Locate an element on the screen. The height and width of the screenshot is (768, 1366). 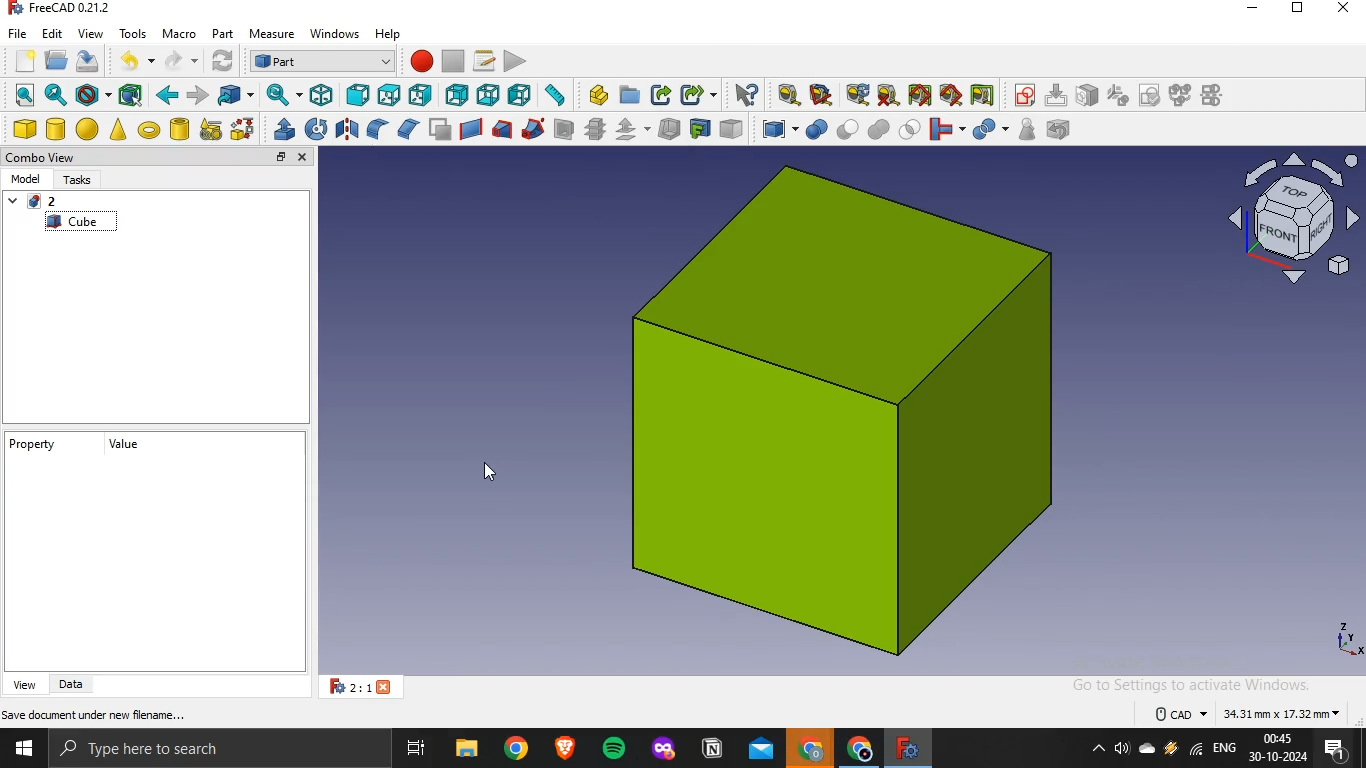
toggle 3d is located at coordinates (950, 94).